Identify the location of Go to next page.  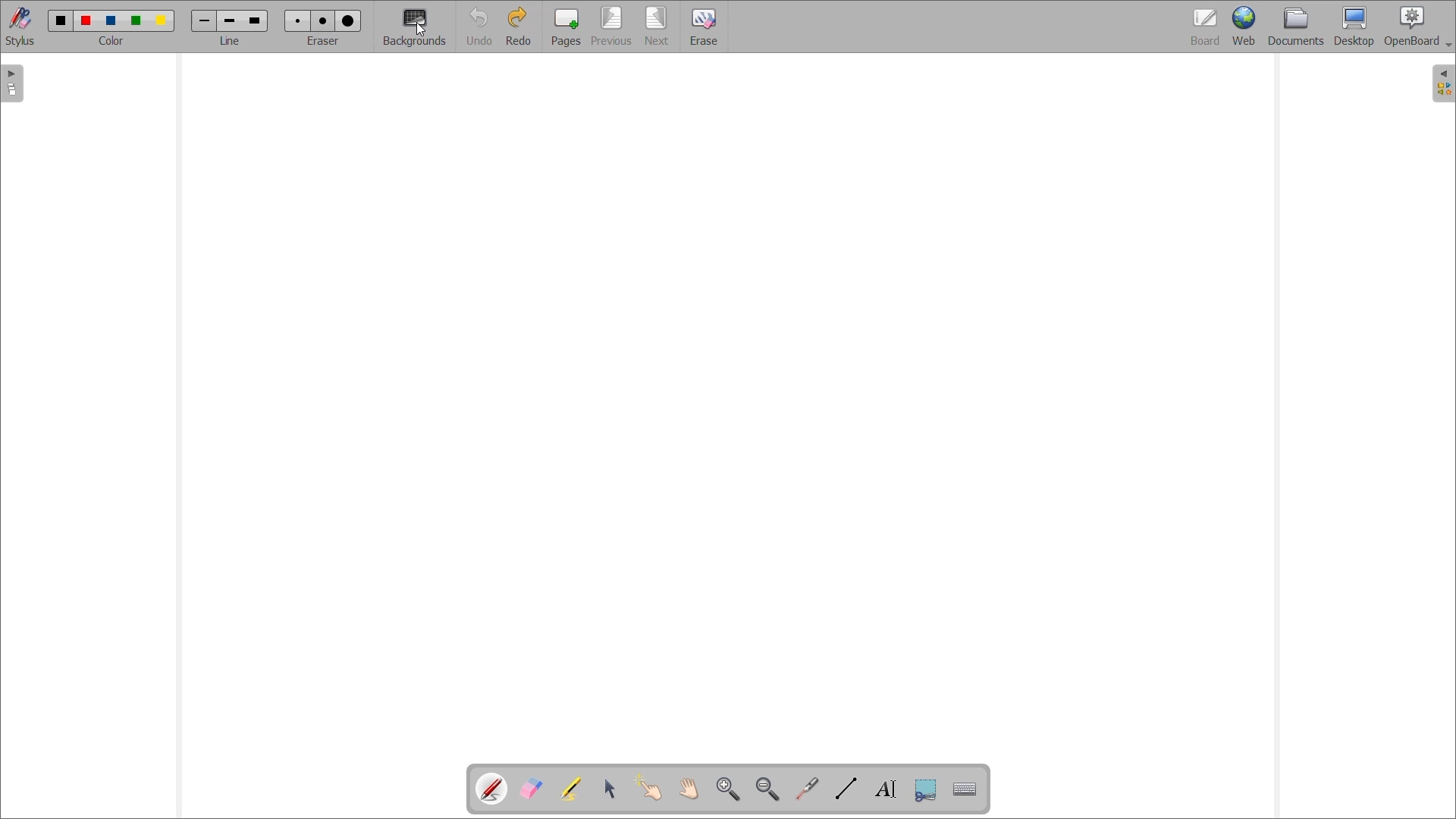
(657, 27).